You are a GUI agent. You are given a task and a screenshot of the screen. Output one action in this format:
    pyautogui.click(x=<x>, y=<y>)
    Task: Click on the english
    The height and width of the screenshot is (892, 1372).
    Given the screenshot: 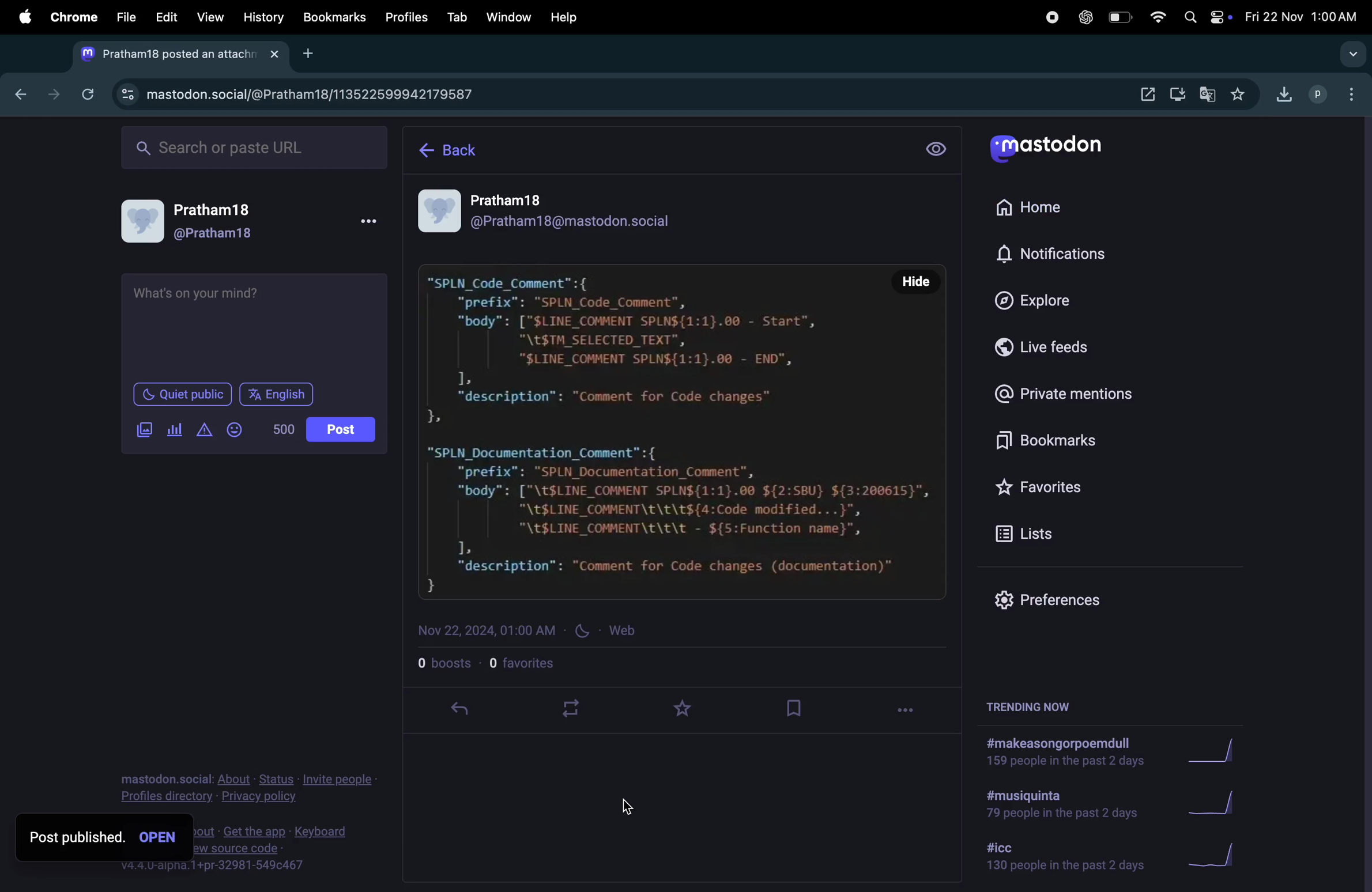 What is the action you would take?
    pyautogui.click(x=278, y=394)
    